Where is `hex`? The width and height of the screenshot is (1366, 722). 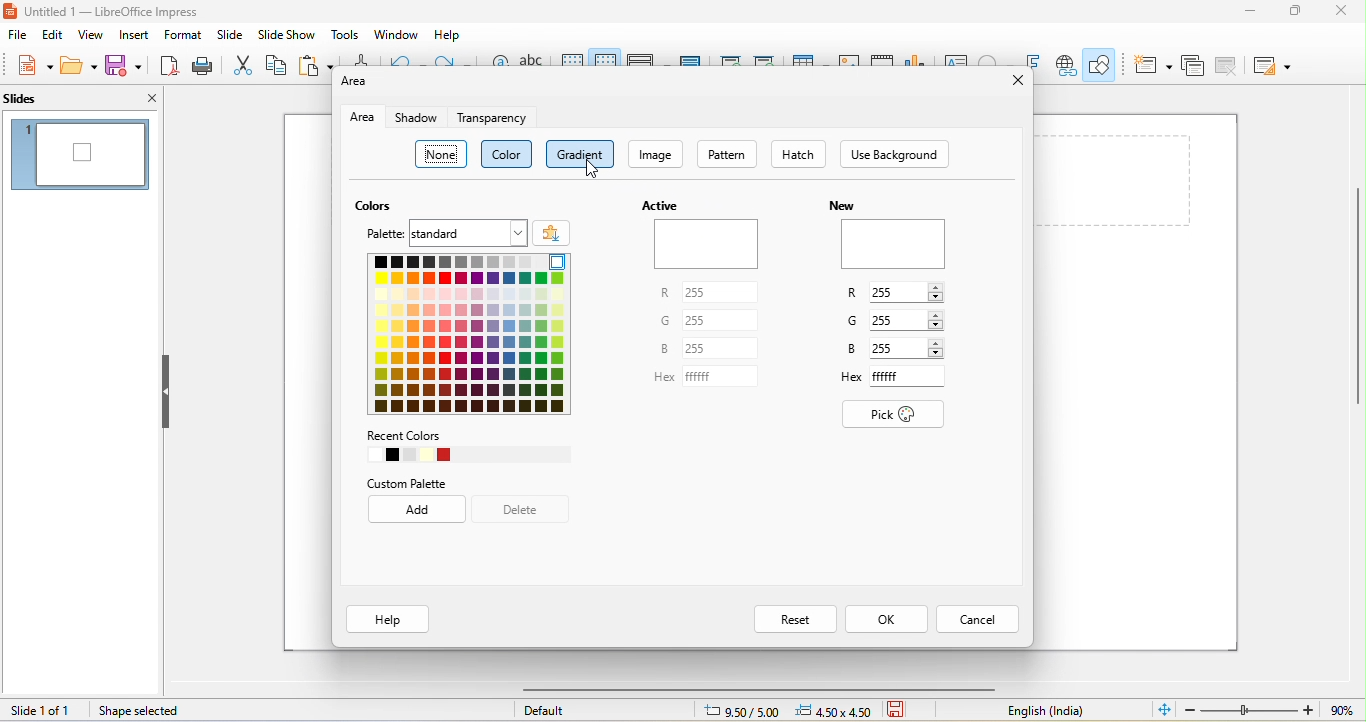
hex is located at coordinates (661, 379).